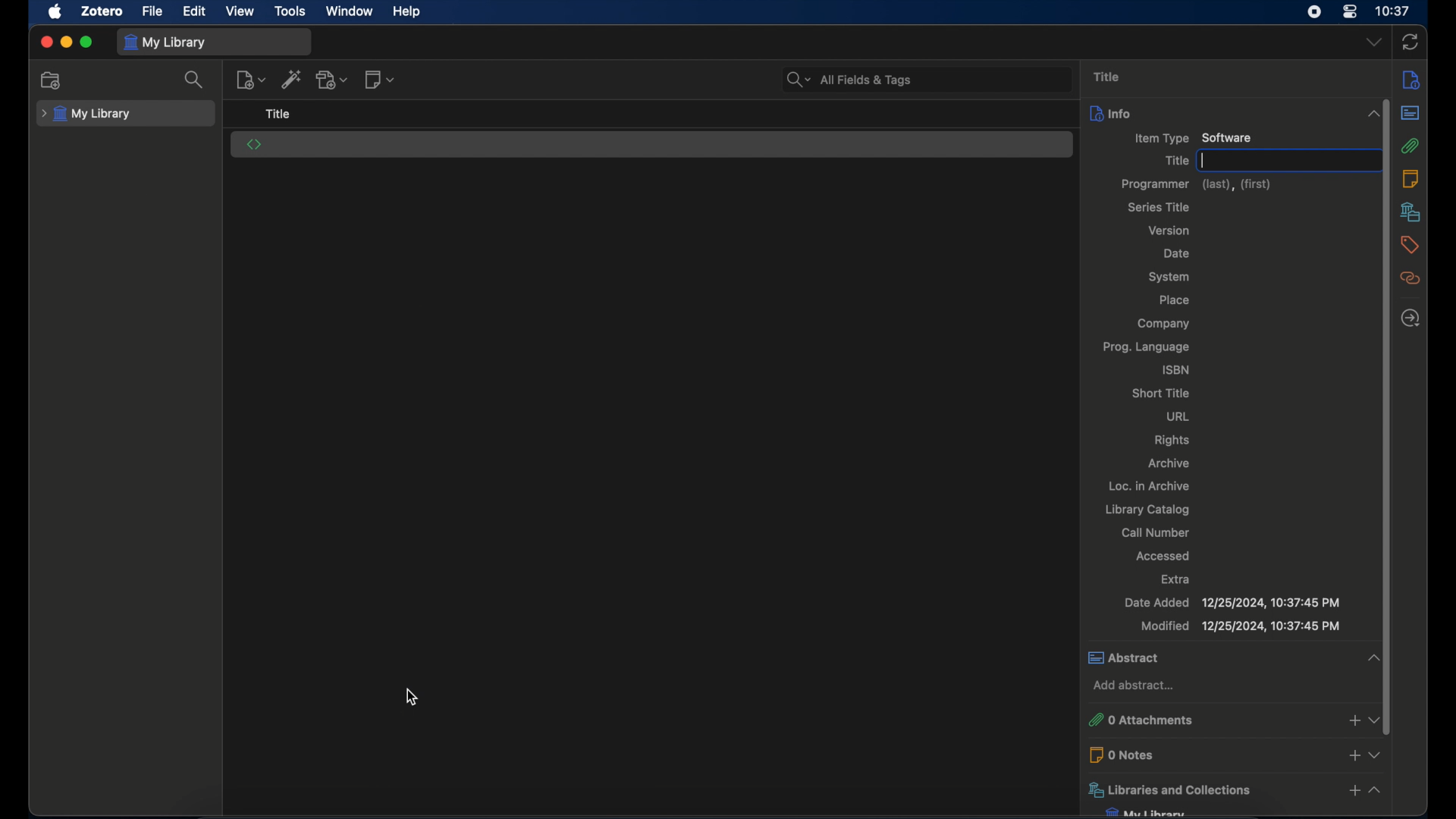  Describe the element at coordinates (1169, 463) in the screenshot. I see `archive` at that location.